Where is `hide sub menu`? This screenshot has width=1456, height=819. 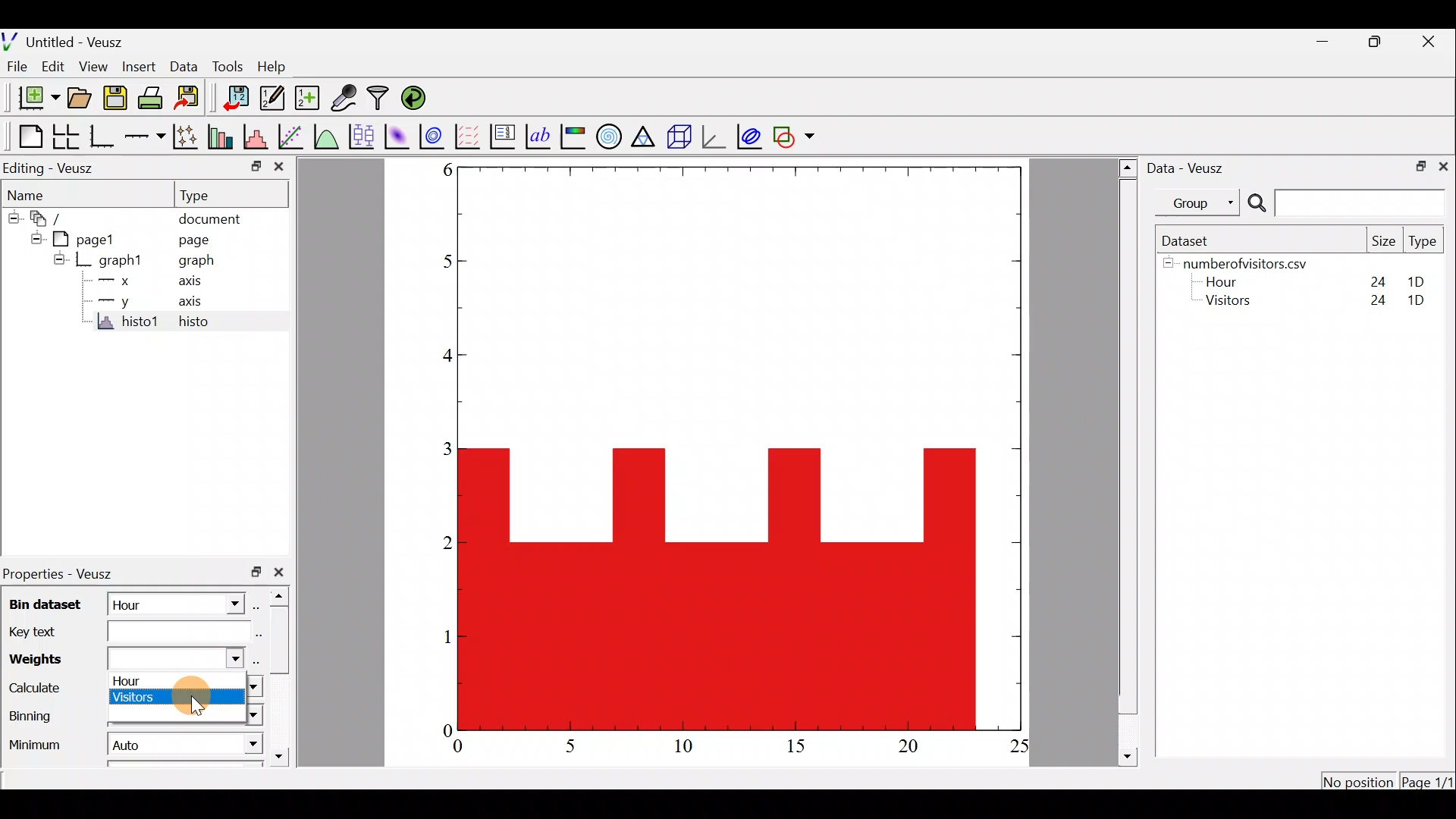 hide sub menu is located at coordinates (1166, 266).